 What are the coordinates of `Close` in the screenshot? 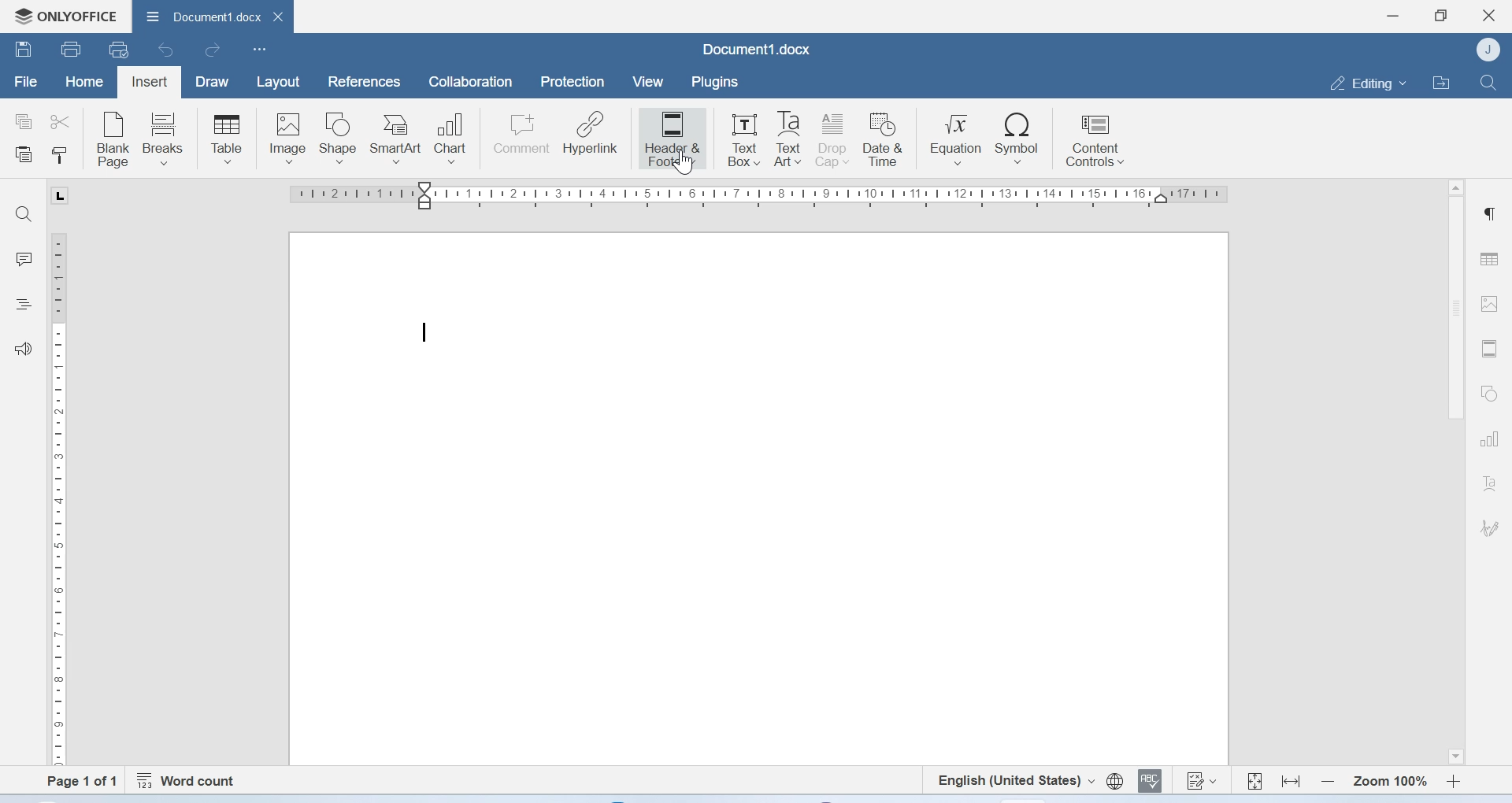 It's located at (1489, 16).